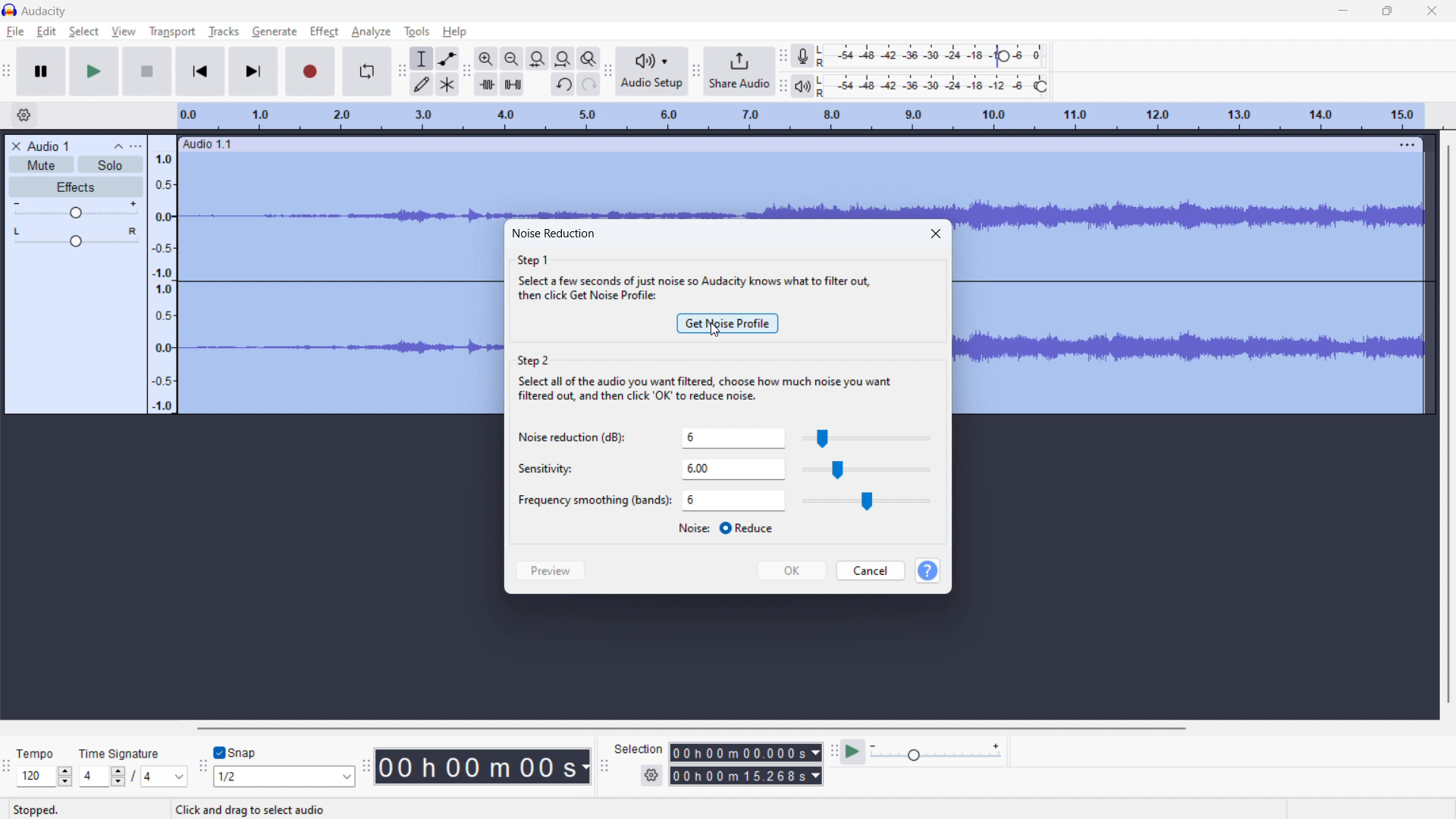  What do you see at coordinates (253, 71) in the screenshot?
I see `skip to end` at bounding box center [253, 71].